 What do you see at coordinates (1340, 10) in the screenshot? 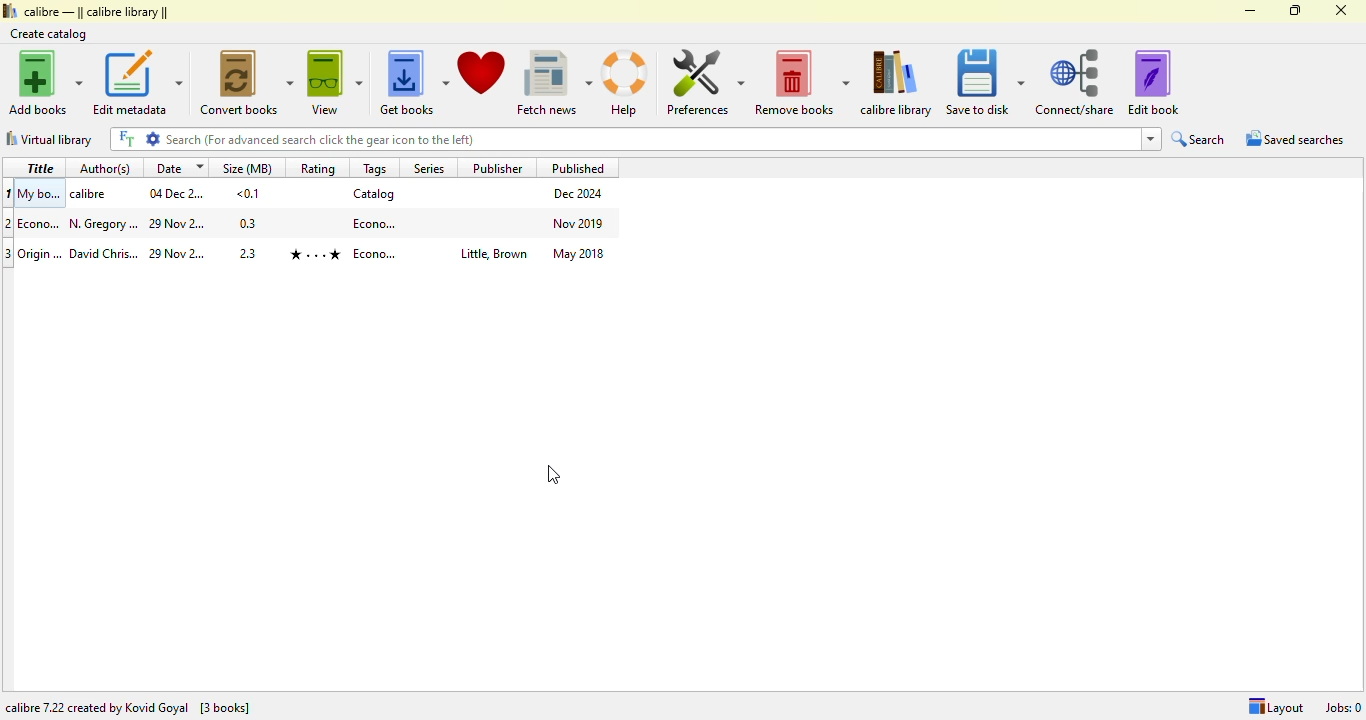
I see `close` at bounding box center [1340, 10].